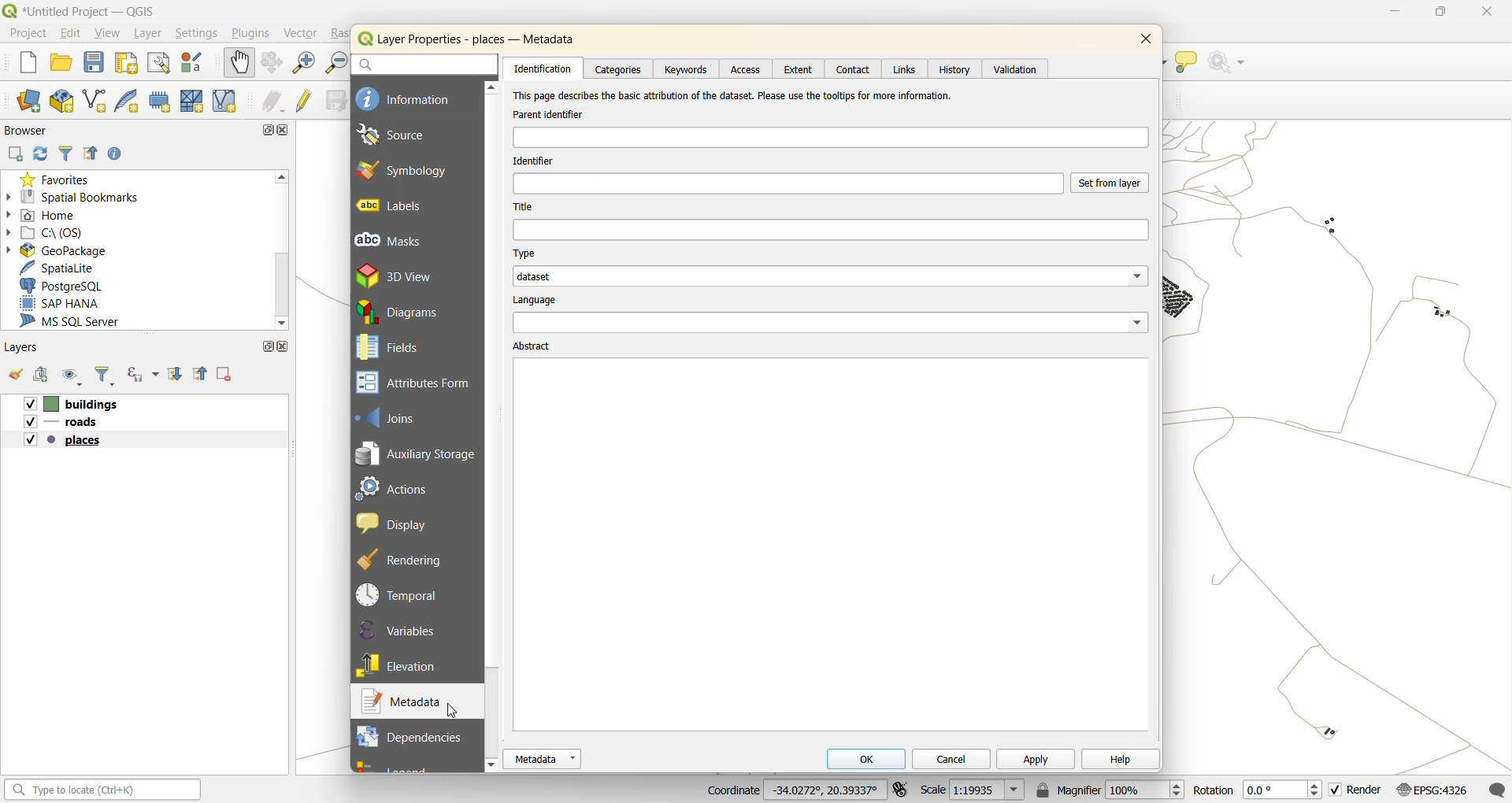  Describe the element at coordinates (536, 159) in the screenshot. I see `identifier` at that location.